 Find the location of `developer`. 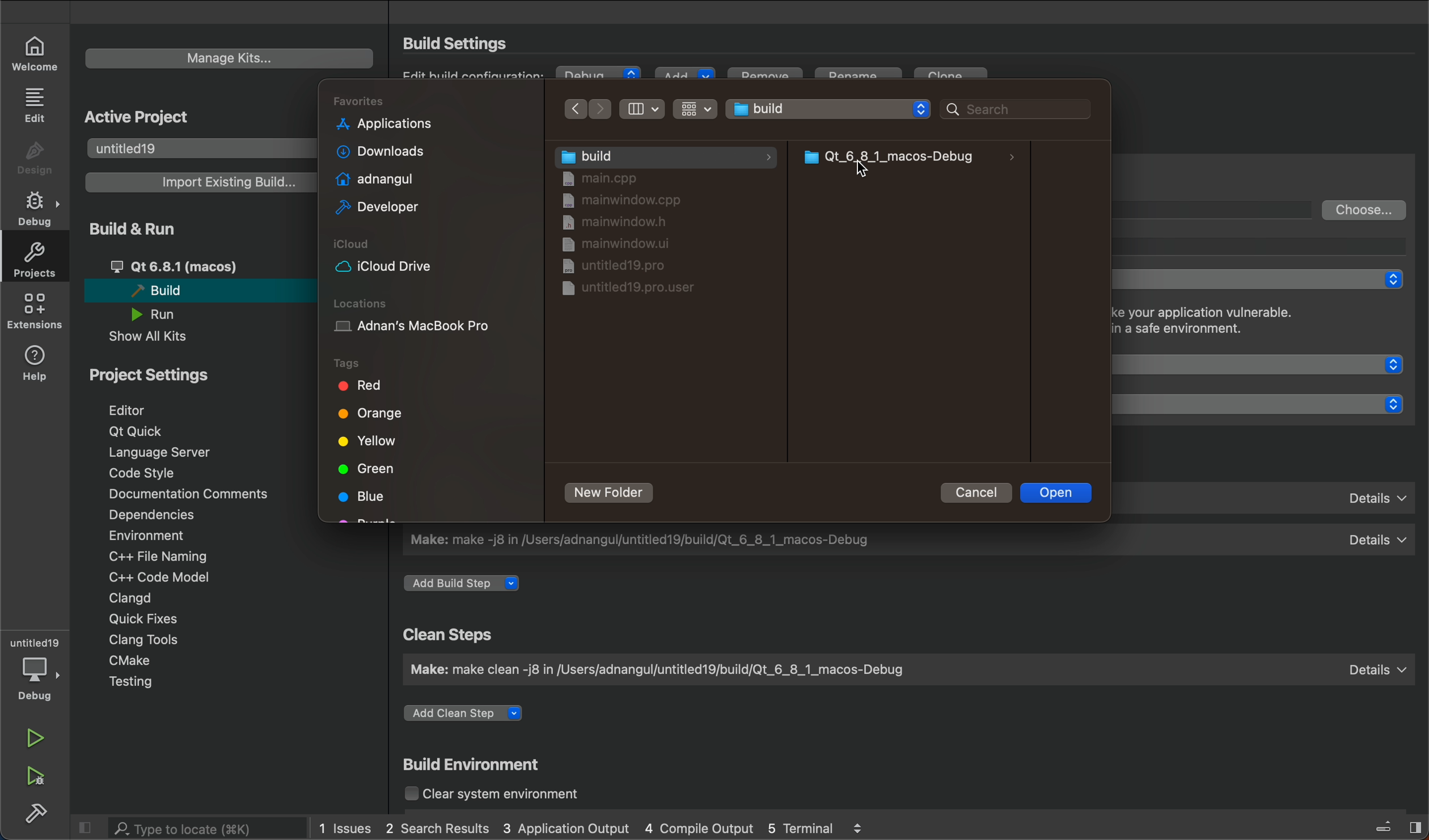

developer is located at coordinates (374, 208).